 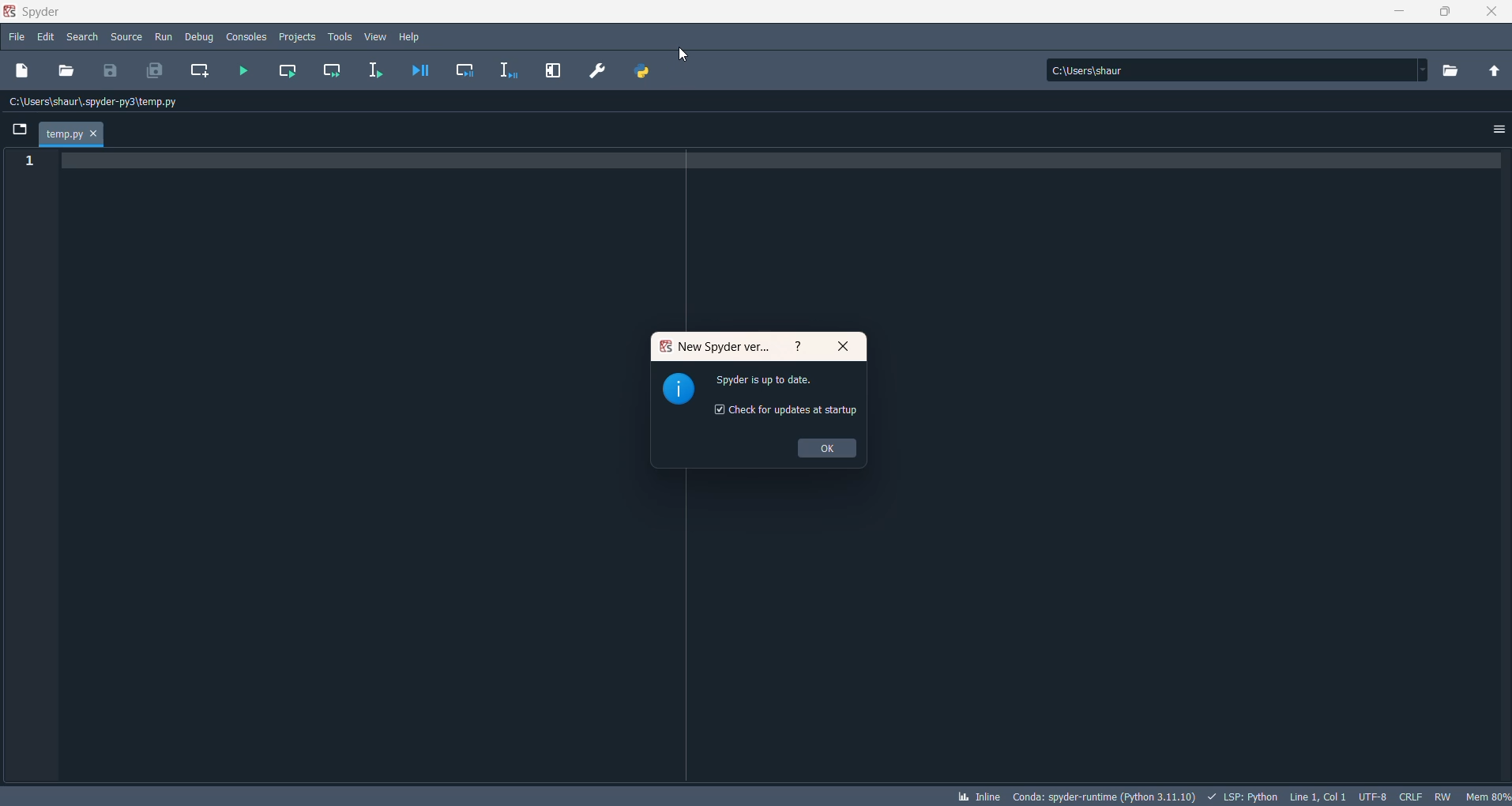 I want to click on PREFERENCES, so click(x=598, y=73).